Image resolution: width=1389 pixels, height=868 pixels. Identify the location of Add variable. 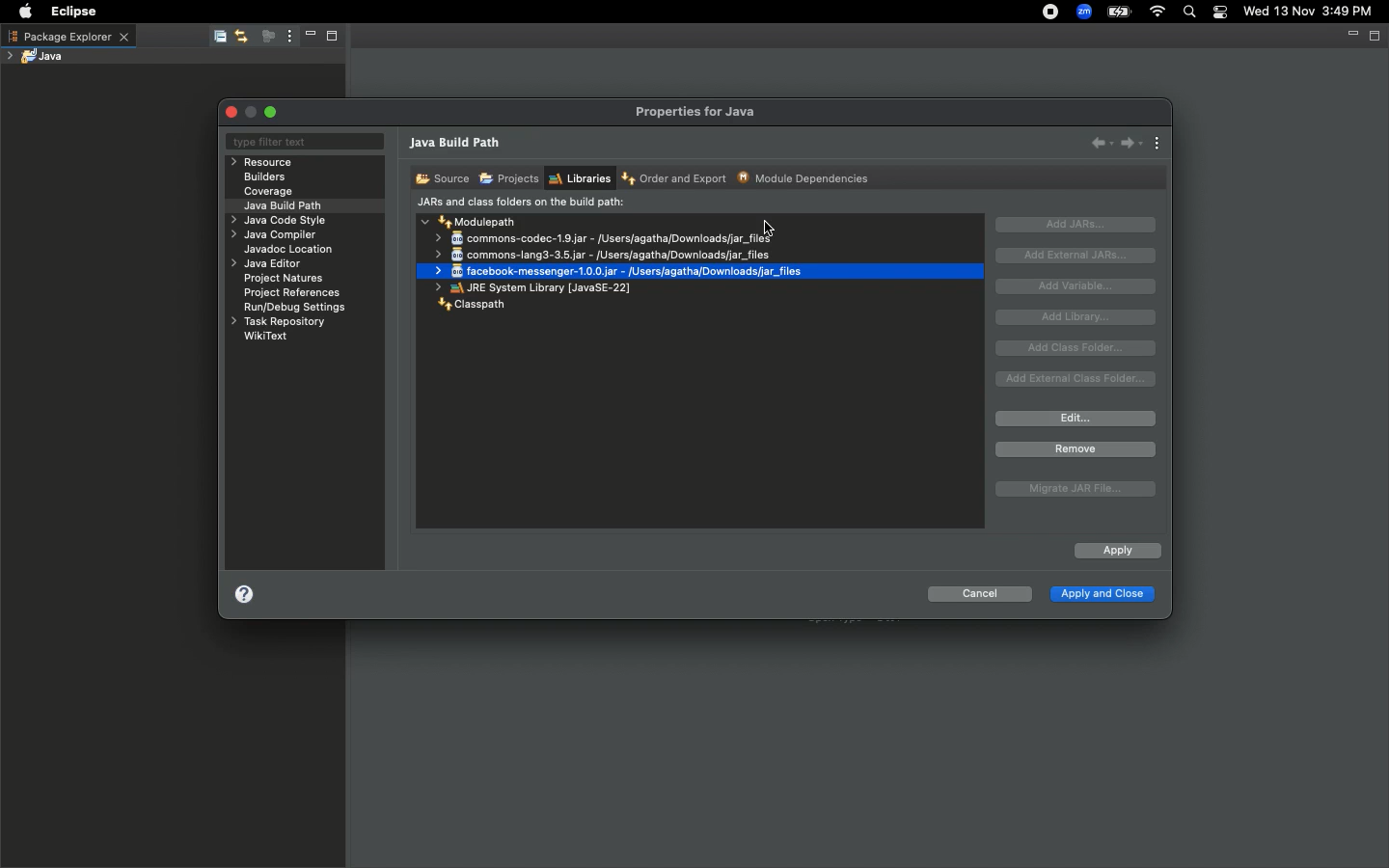
(1080, 286).